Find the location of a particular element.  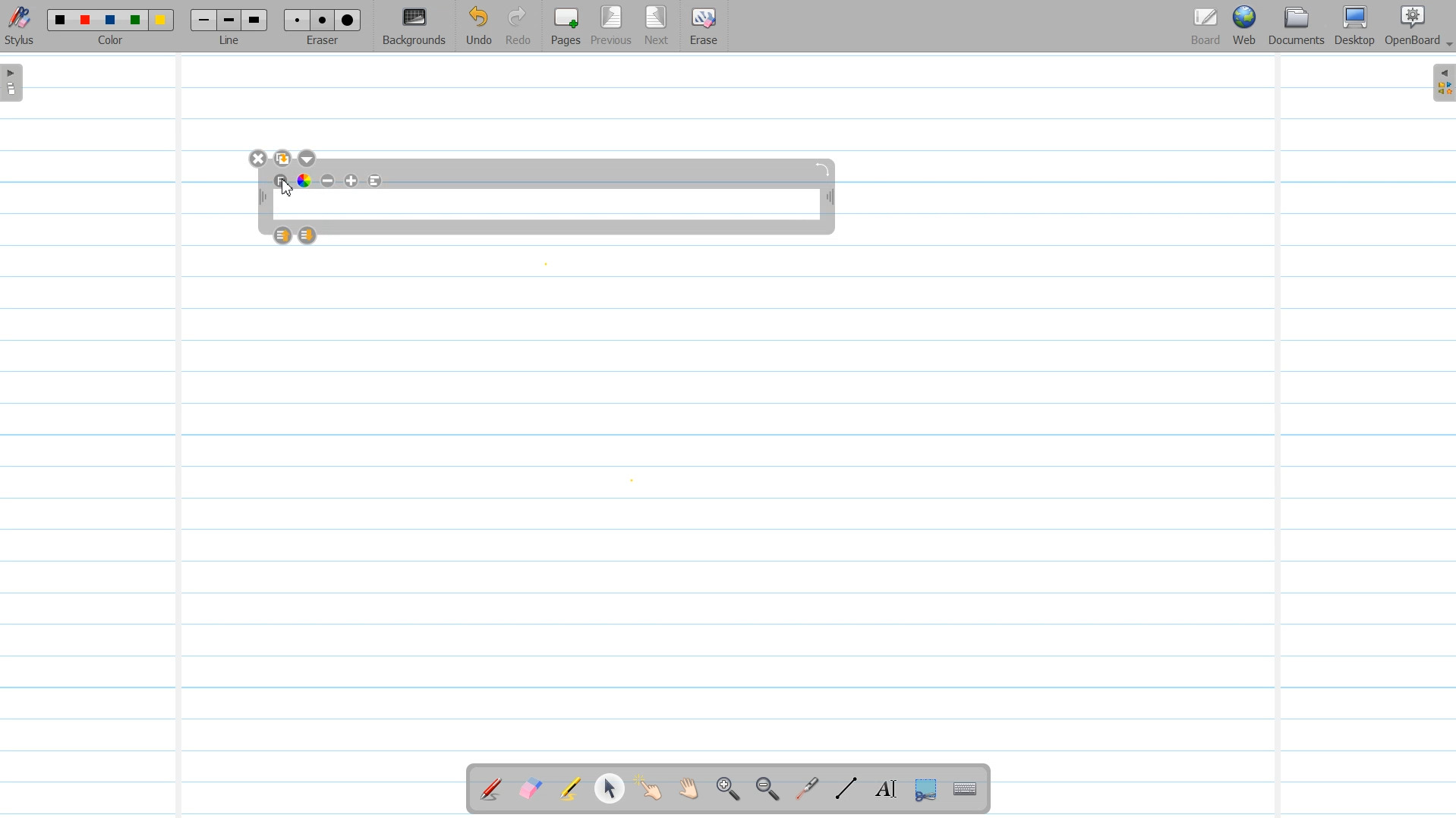

Interact With Item is located at coordinates (649, 790).